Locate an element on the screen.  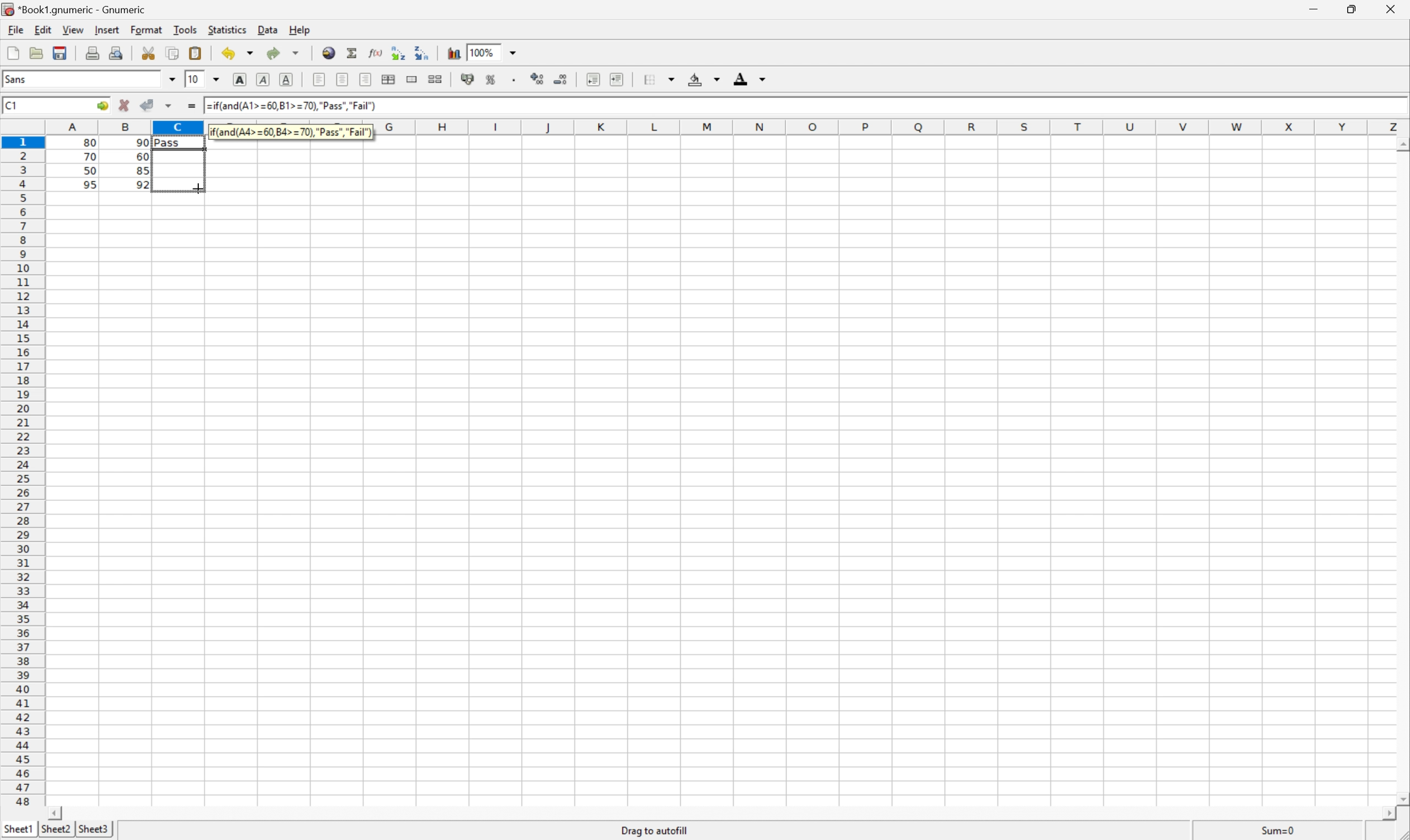
Go to... is located at coordinates (103, 106).